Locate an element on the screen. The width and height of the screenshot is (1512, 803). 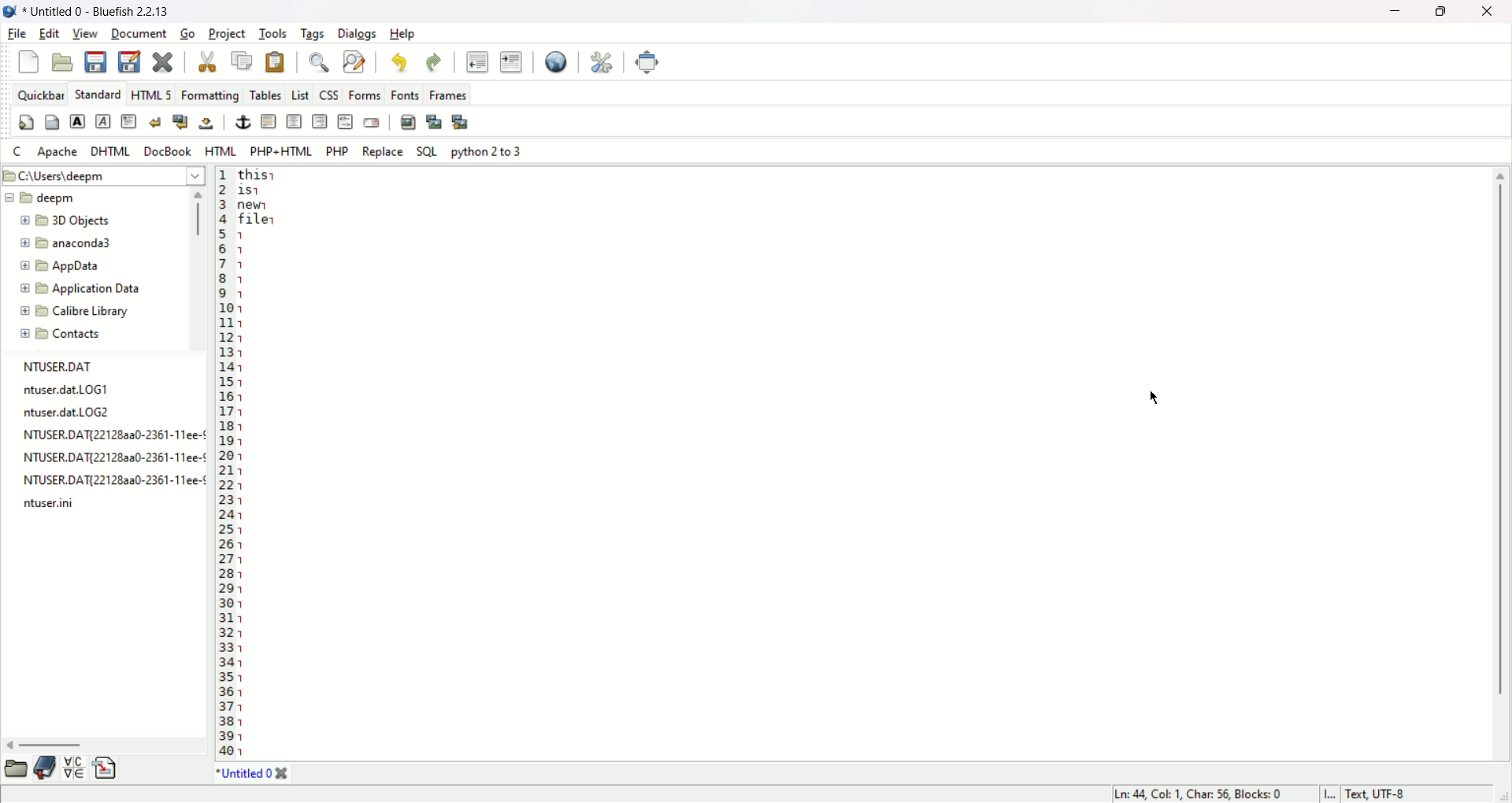
strong is located at coordinates (78, 121).